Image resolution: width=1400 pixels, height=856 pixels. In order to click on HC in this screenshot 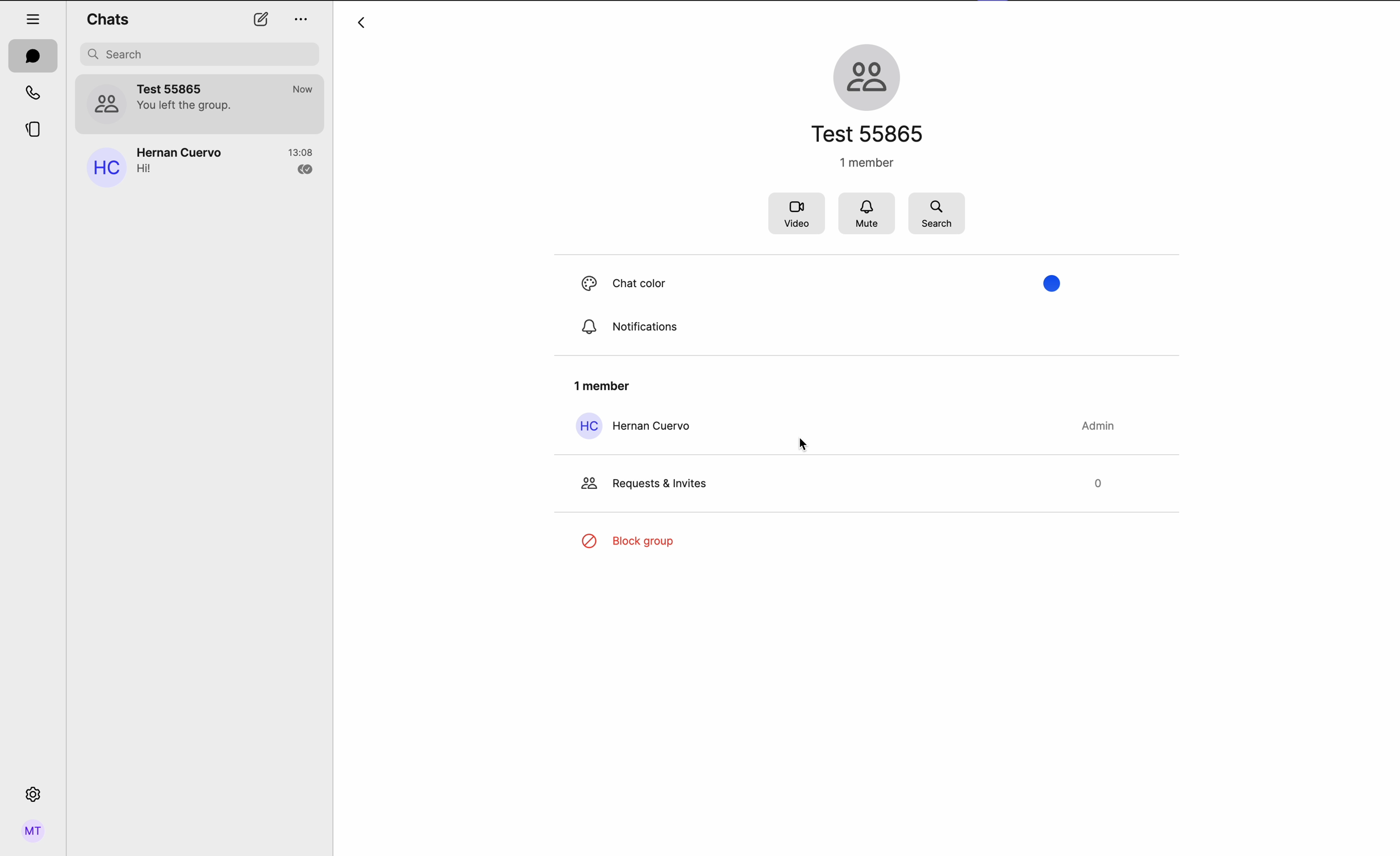, I will do `click(589, 426)`.